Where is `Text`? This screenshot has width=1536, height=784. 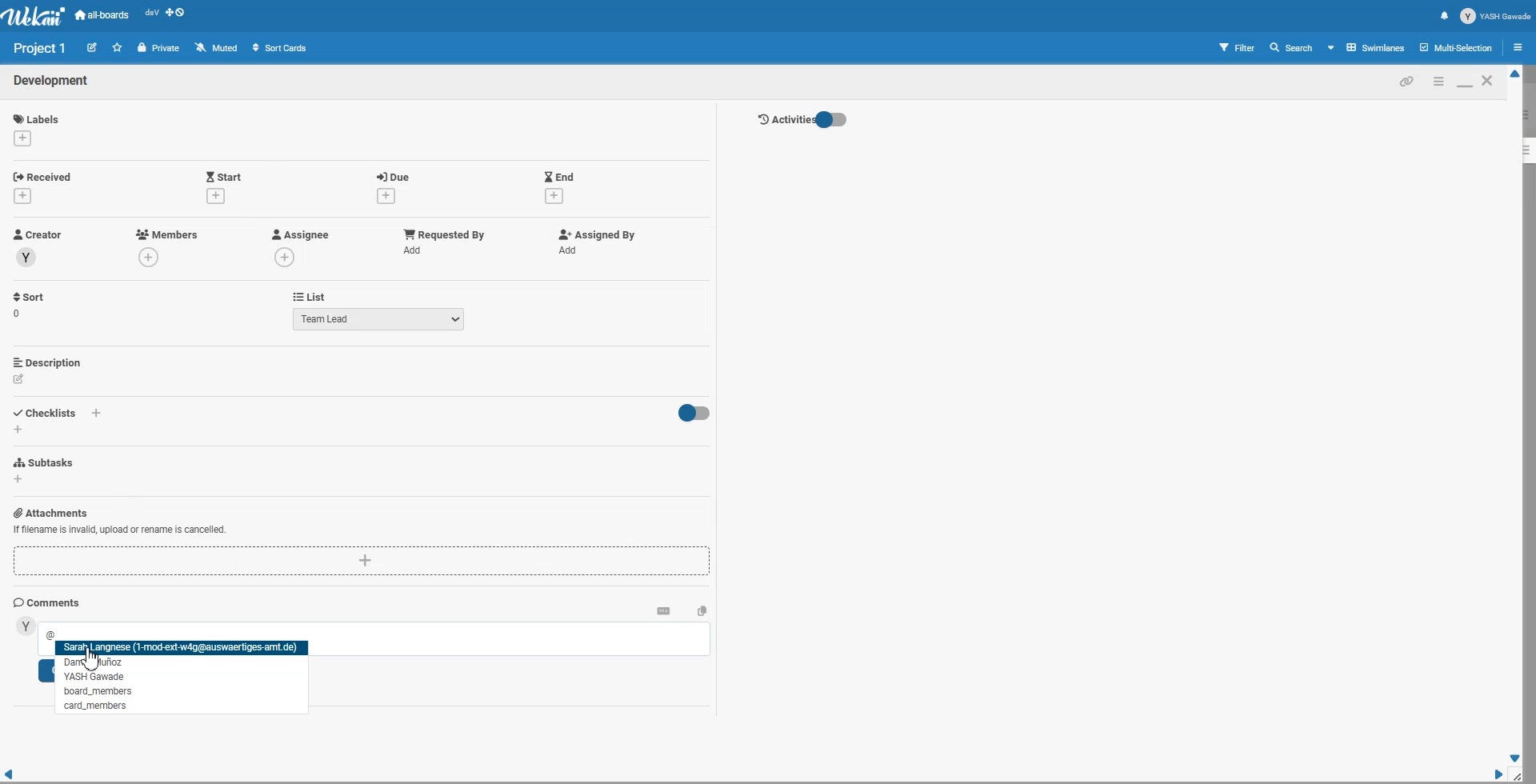
Text is located at coordinates (52, 82).